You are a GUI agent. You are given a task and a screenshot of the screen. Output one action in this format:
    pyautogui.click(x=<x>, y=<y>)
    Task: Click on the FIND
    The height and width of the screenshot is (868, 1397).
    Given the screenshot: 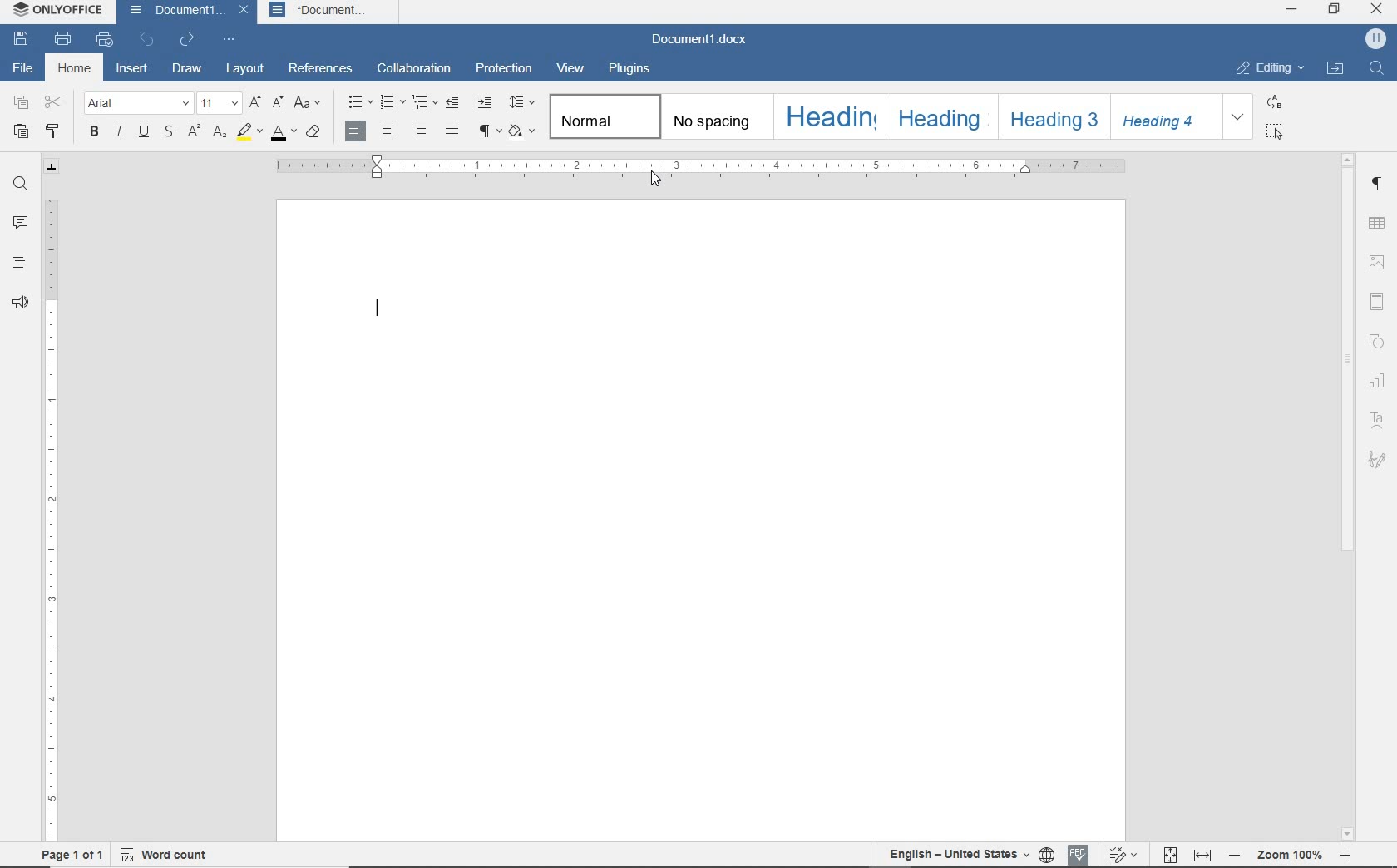 What is the action you would take?
    pyautogui.click(x=21, y=184)
    